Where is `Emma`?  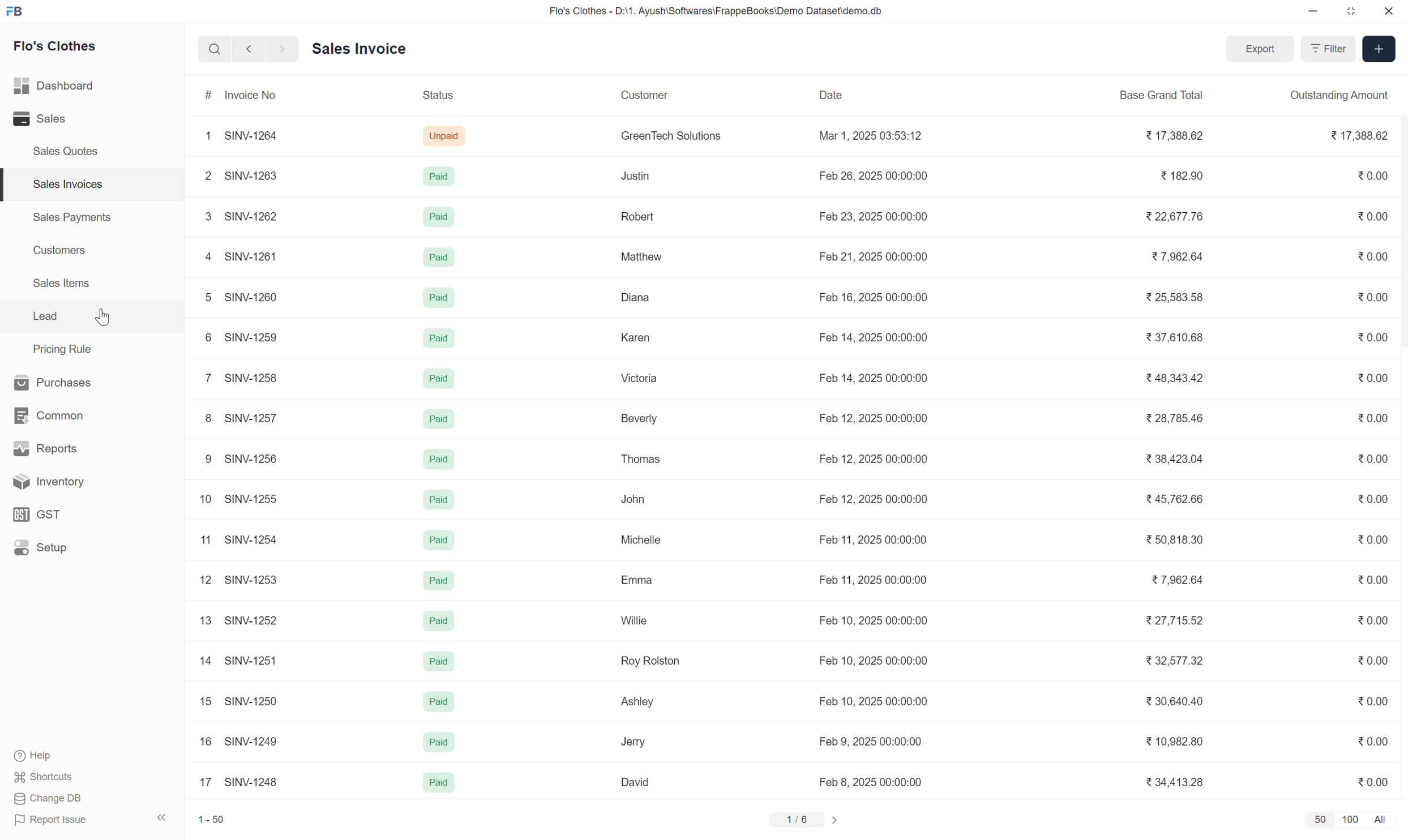 Emma is located at coordinates (636, 579).